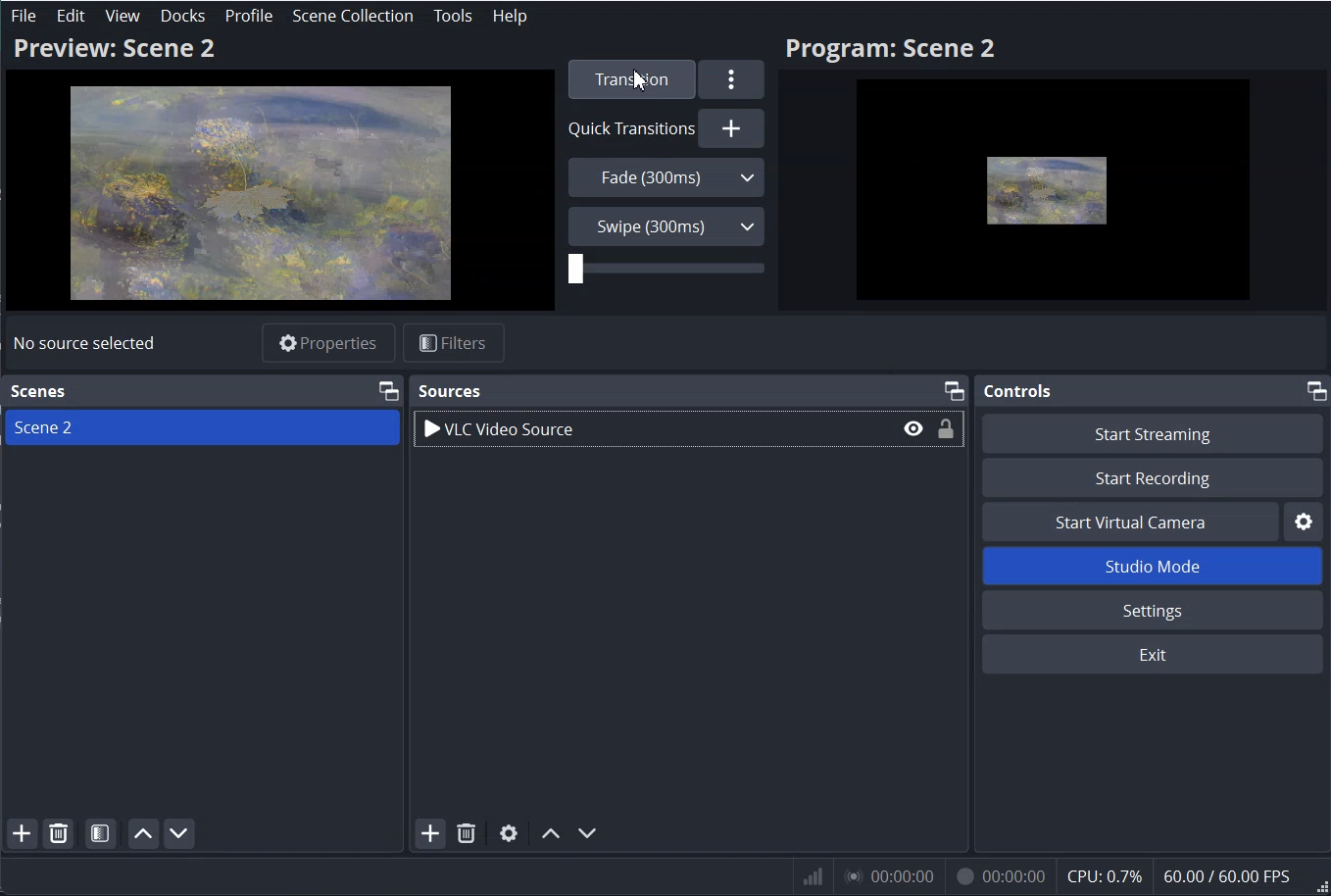 Image resolution: width=1331 pixels, height=896 pixels. Describe the element at coordinates (1156, 431) in the screenshot. I see `Start Streaming` at that location.